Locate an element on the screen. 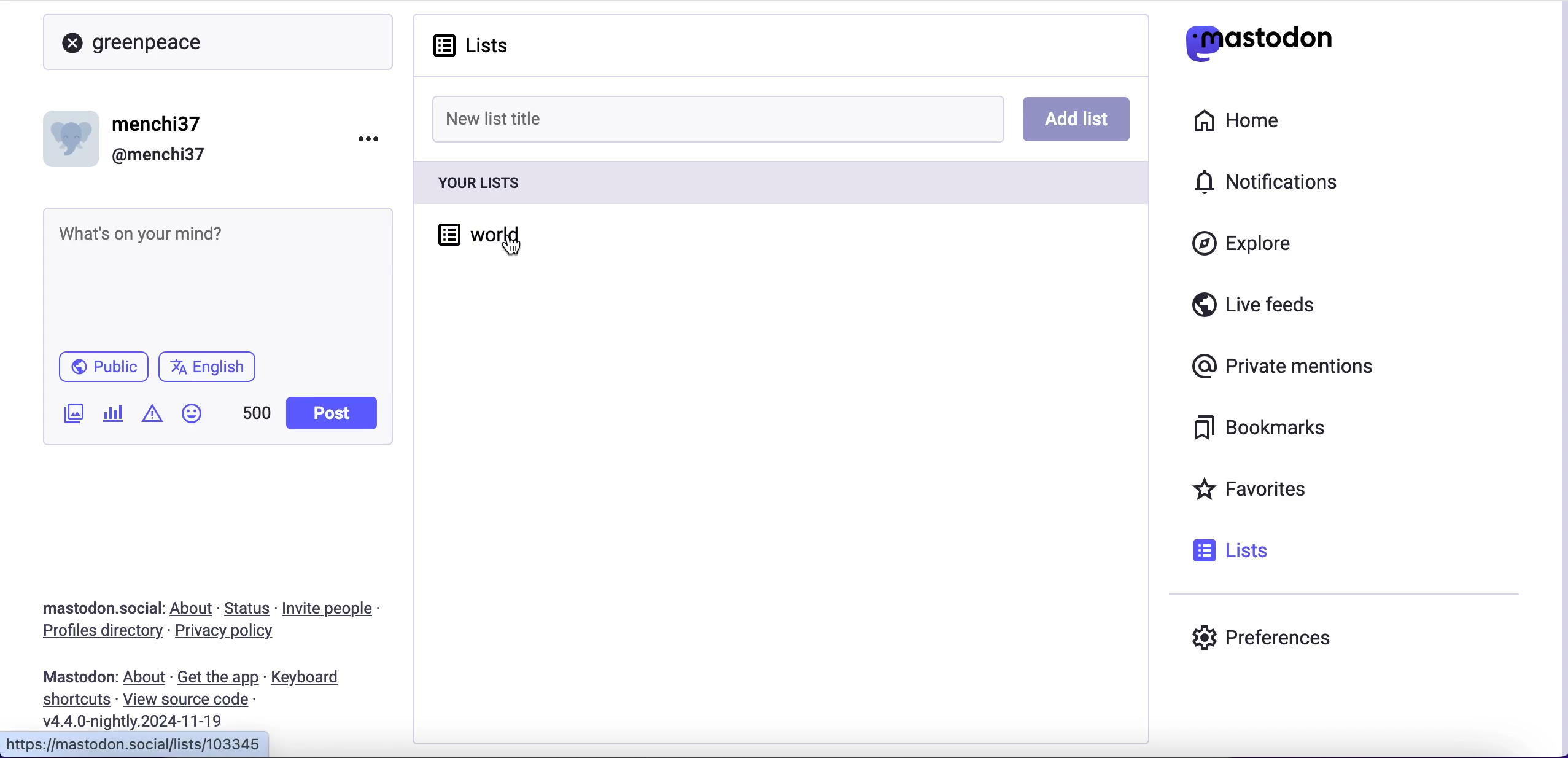 Image resolution: width=1568 pixels, height=758 pixels. characters is located at coordinates (257, 415).